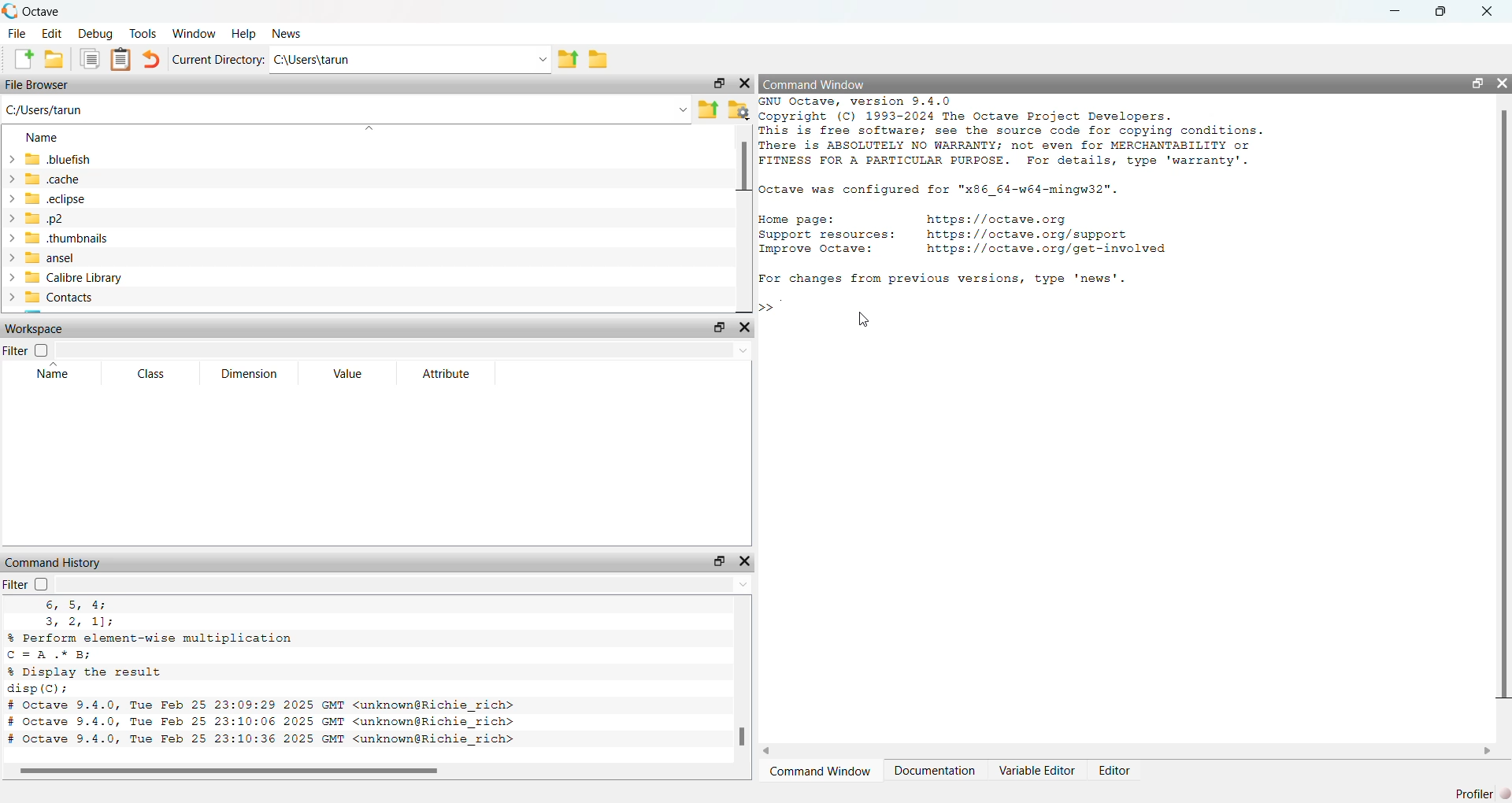 The height and width of the screenshot is (803, 1512). I want to click on Close, so click(744, 83).